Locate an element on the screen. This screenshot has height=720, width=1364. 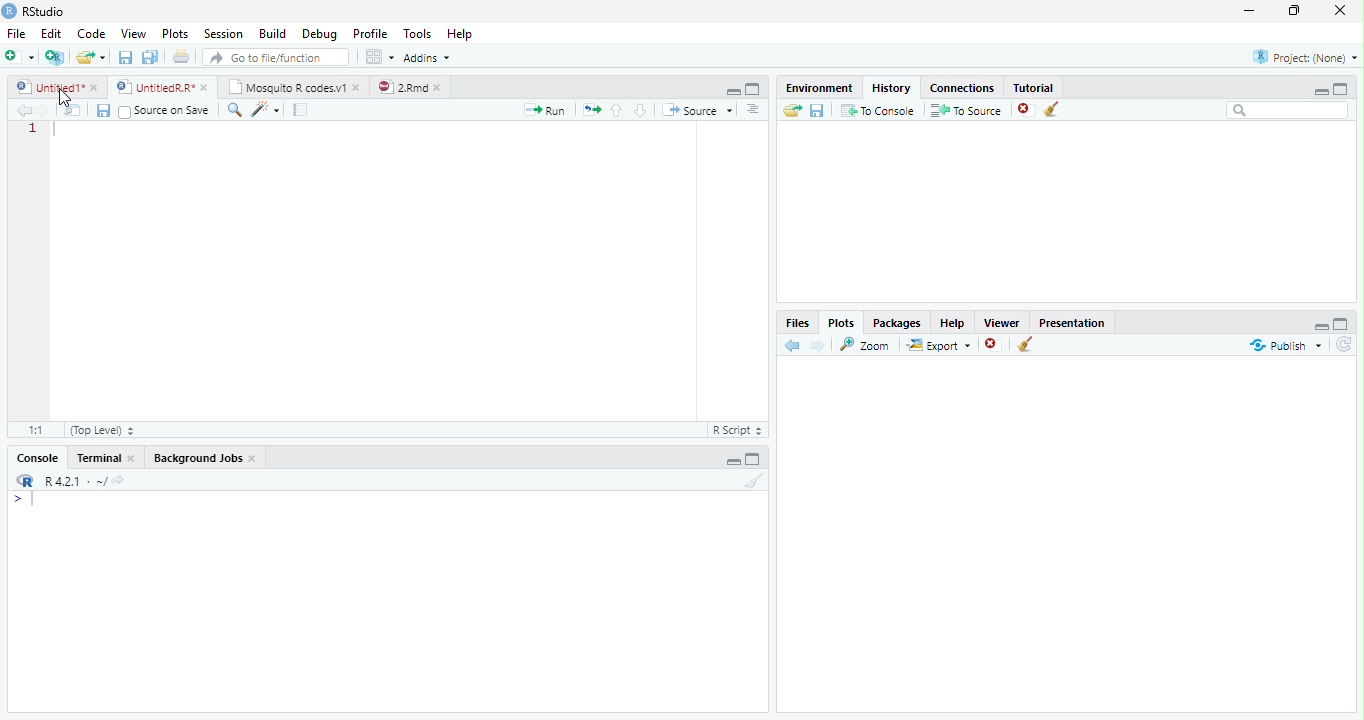
(Top Level) is located at coordinates (101, 430).